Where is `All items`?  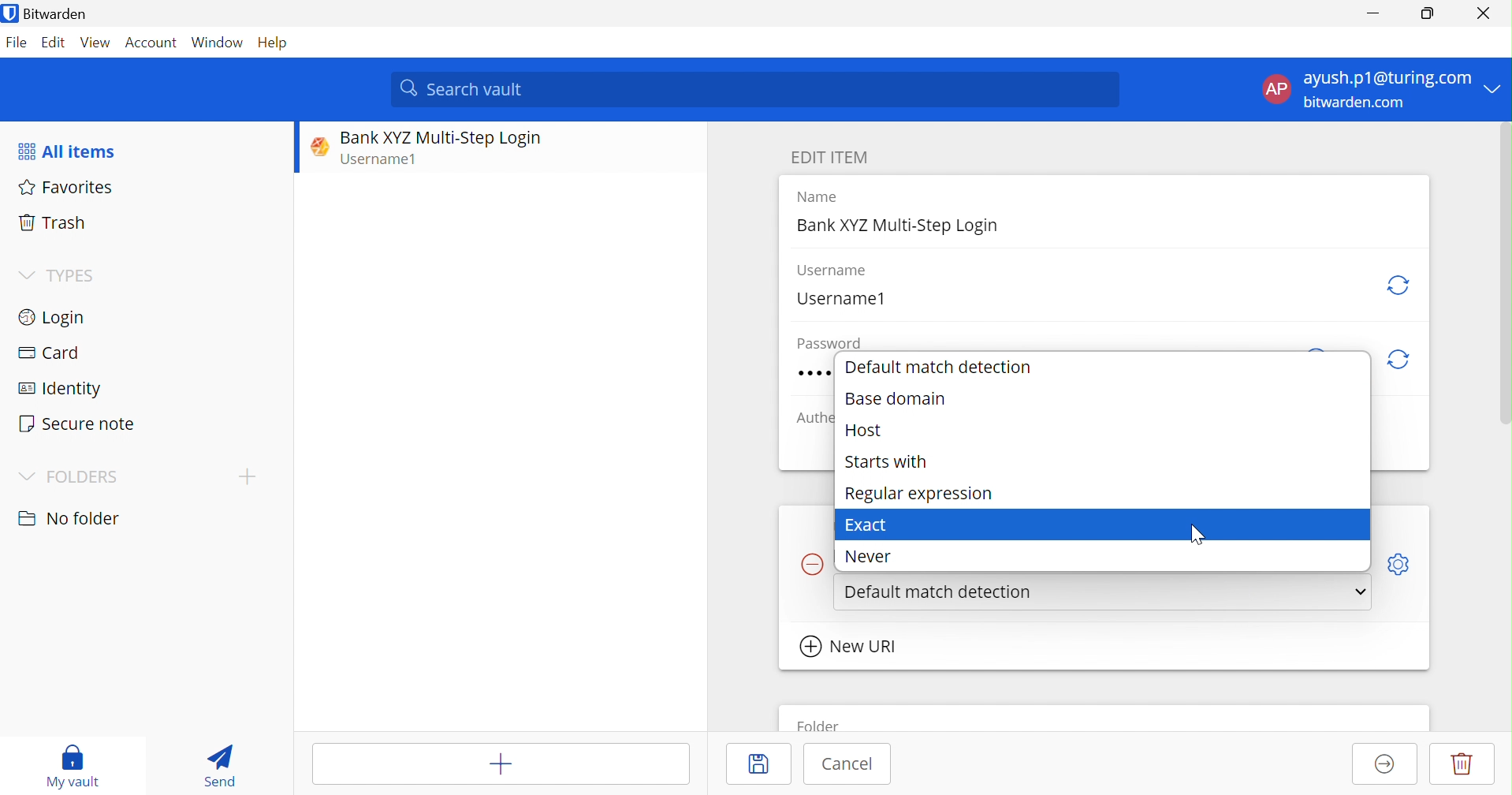
All items is located at coordinates (65, 152).